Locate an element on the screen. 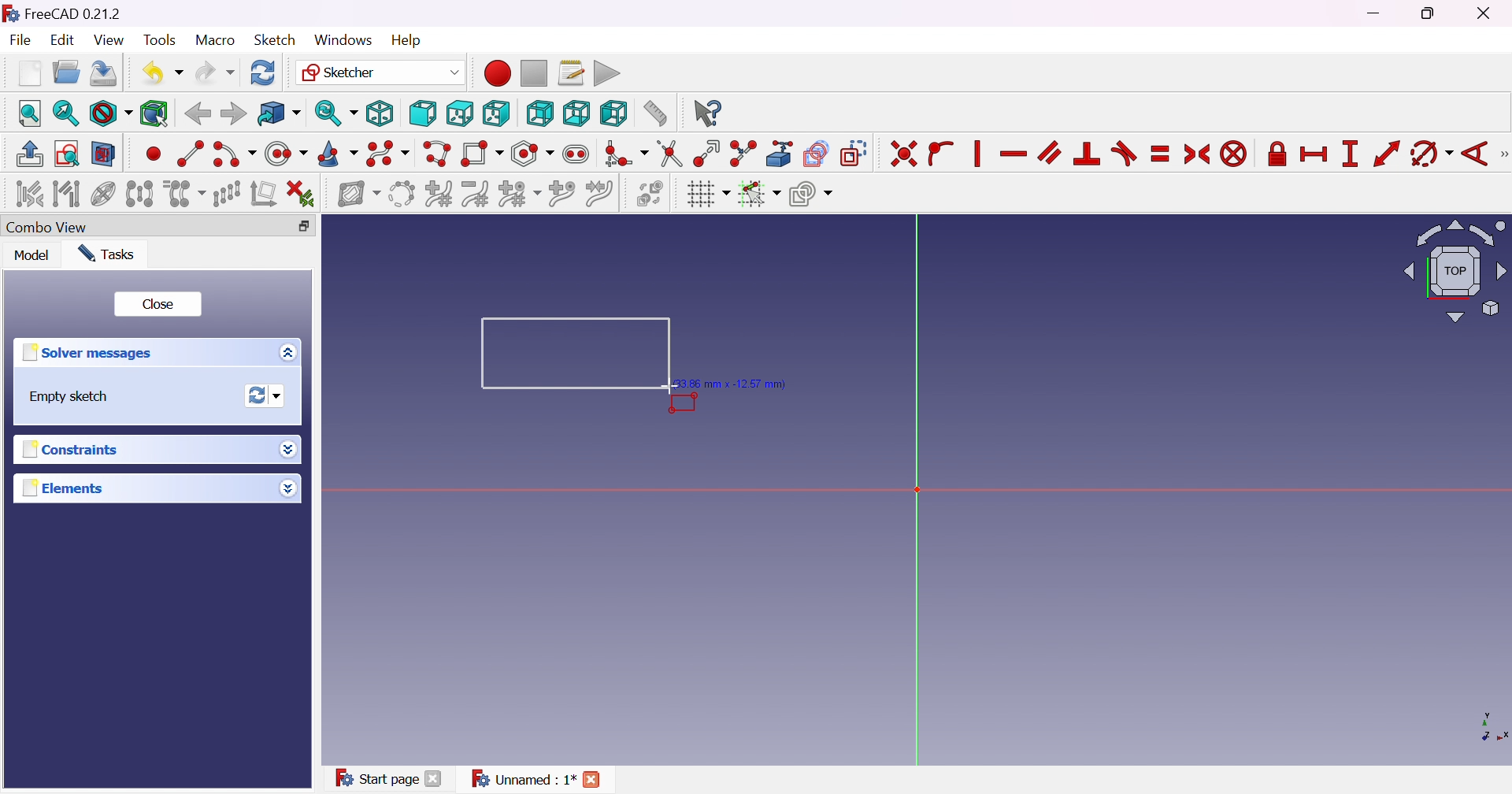  Close is located at coordinates (1487, 14).